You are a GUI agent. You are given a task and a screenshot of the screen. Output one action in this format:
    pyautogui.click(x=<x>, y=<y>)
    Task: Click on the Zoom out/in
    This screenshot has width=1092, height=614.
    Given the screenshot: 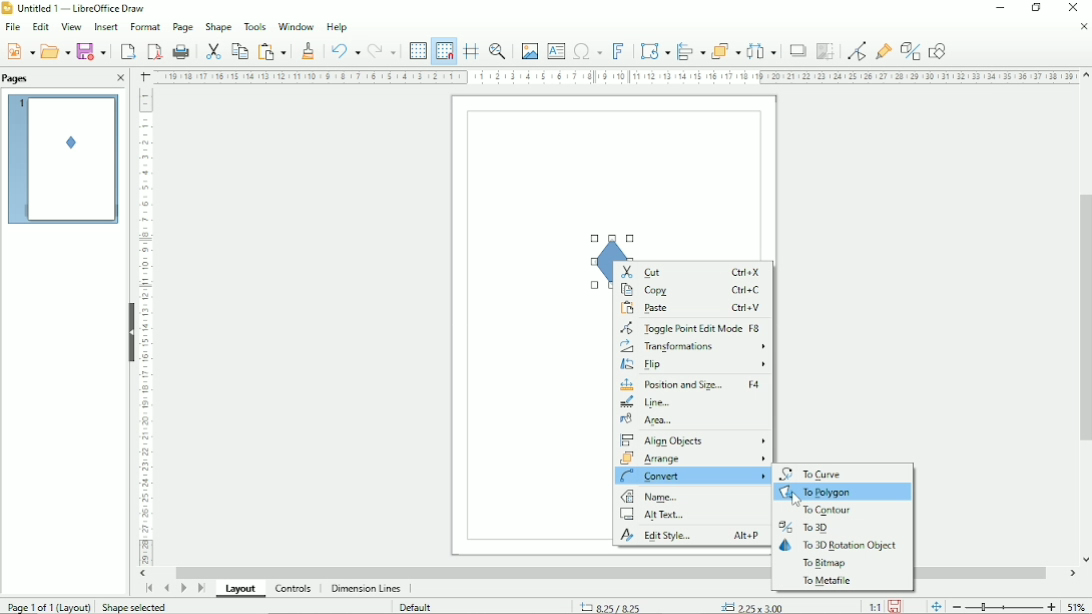 What is the action you would take?
    pyautogui.click(x=1003, y=605)
    